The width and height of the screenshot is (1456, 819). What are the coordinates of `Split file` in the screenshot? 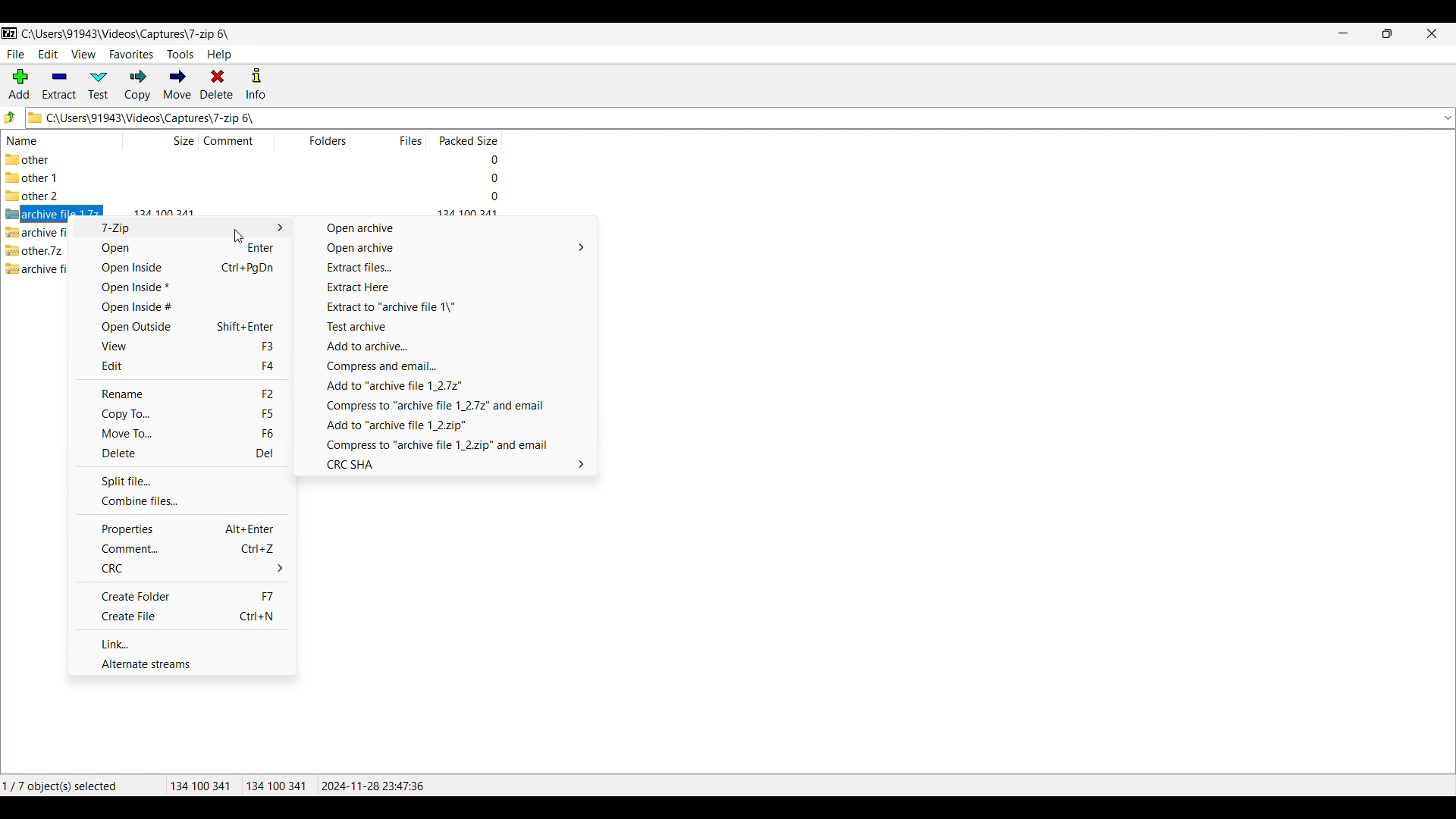 It's located at (181, 482).